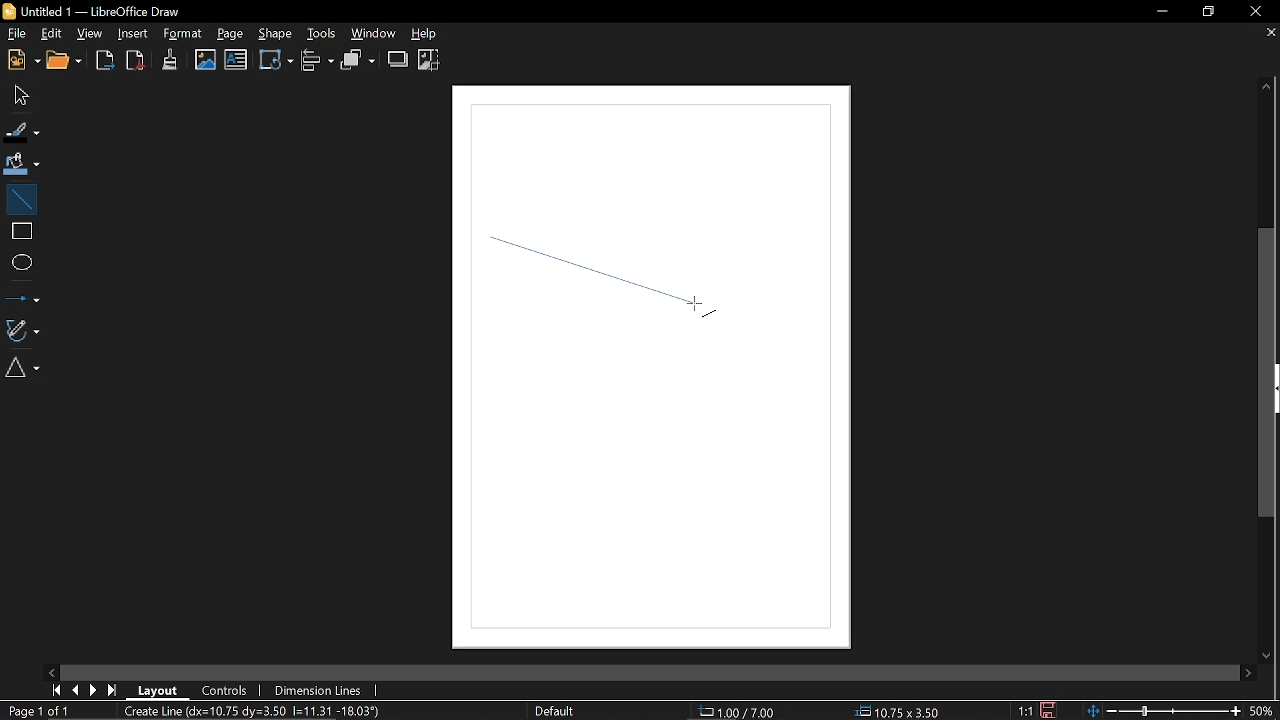 This screenshot has height=720, width=1280. What do you see at coordinates (1262, 656) in the screenshot?
I see `Move down` at bounding box center [1262, 656].